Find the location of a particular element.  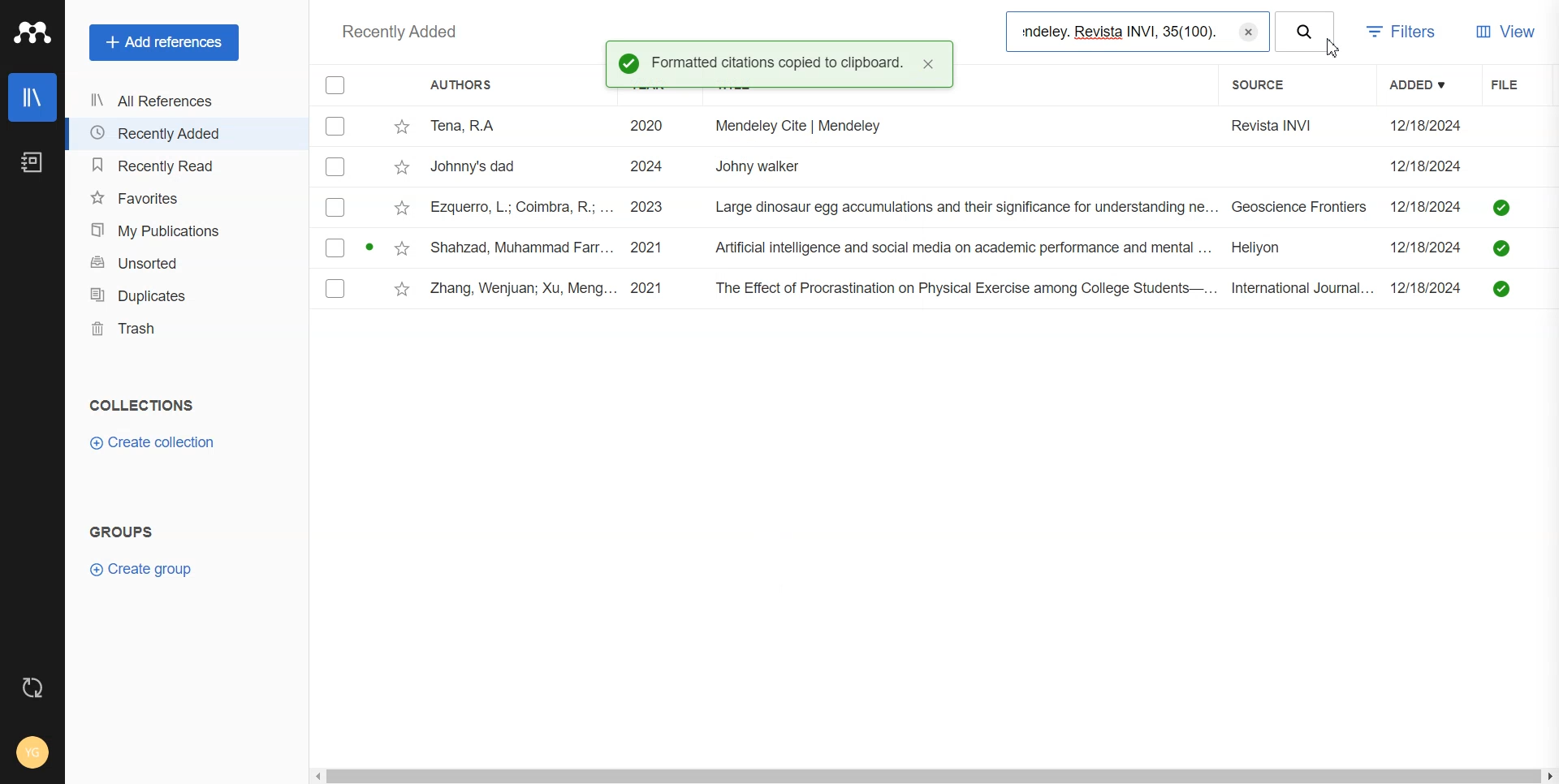

Star is located at coordinates (404, 289).